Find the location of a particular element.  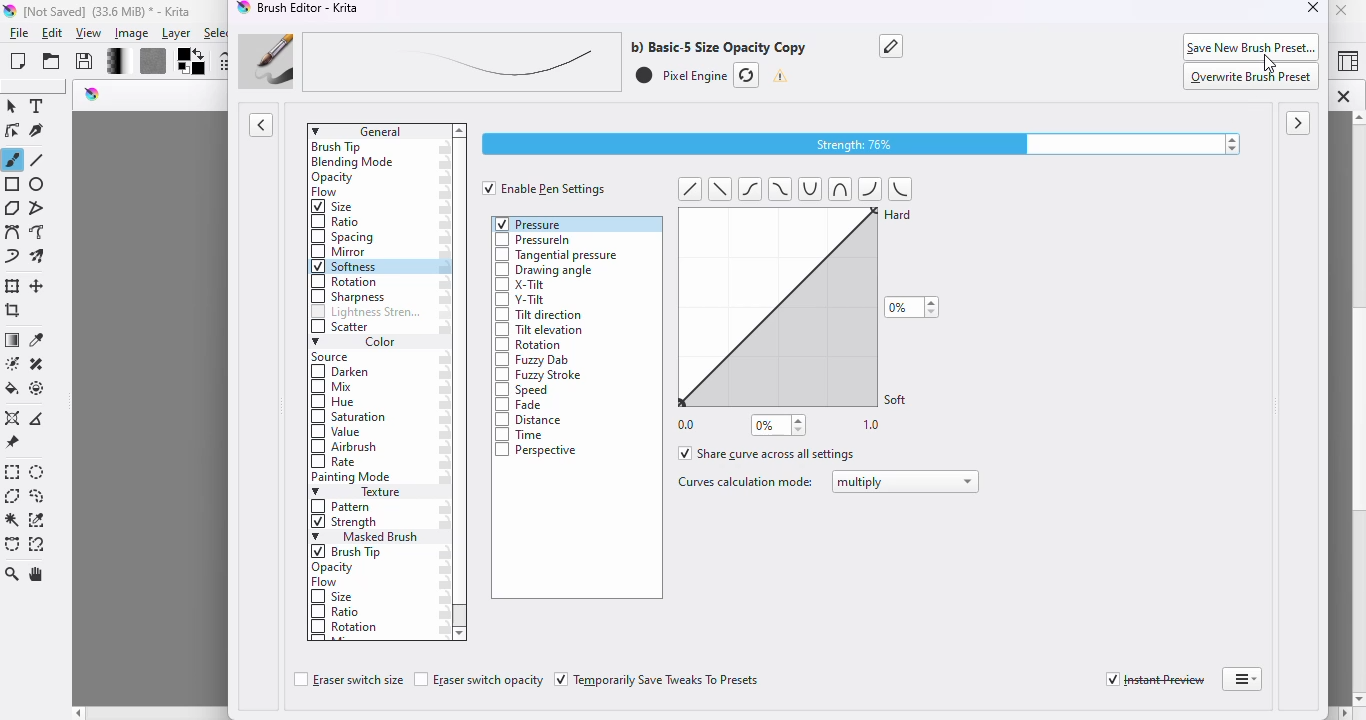

tilt direction is located at coordinates (539, 315).